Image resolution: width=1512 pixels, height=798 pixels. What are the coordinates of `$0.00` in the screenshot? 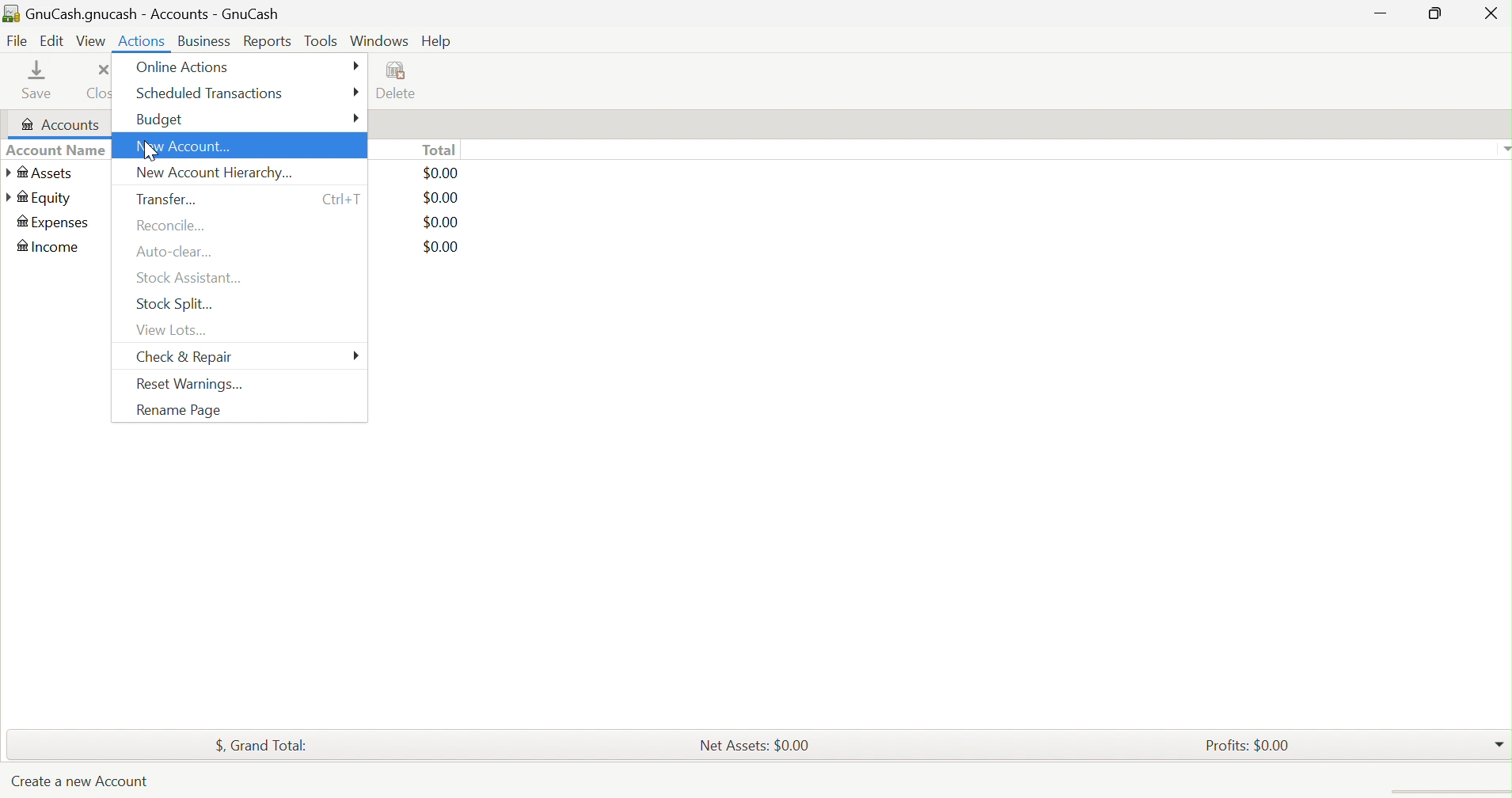 It's located at (441, 246).